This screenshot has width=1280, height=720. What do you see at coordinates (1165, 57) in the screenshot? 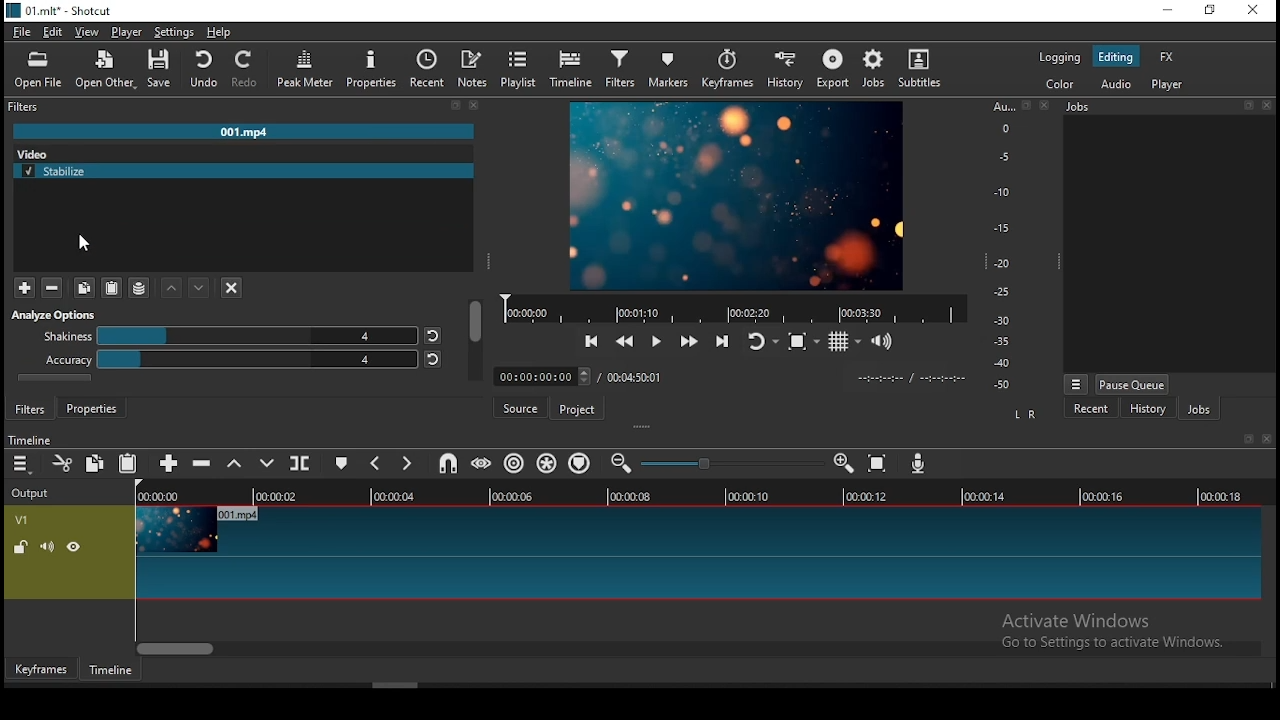
I see `fx` at bounding box center [1165, 57].